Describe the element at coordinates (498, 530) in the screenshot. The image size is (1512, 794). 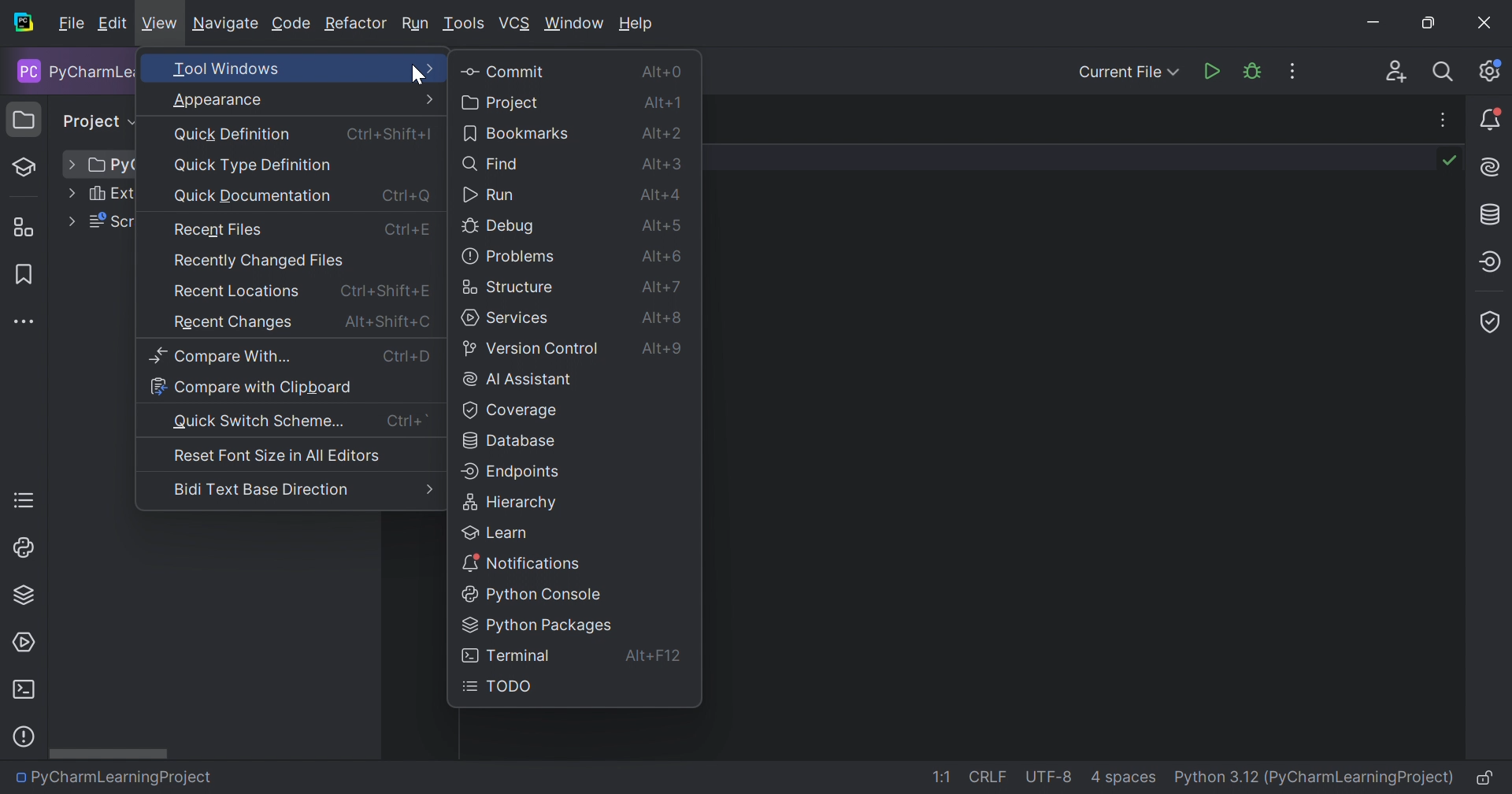
I see `Learn` at that location.